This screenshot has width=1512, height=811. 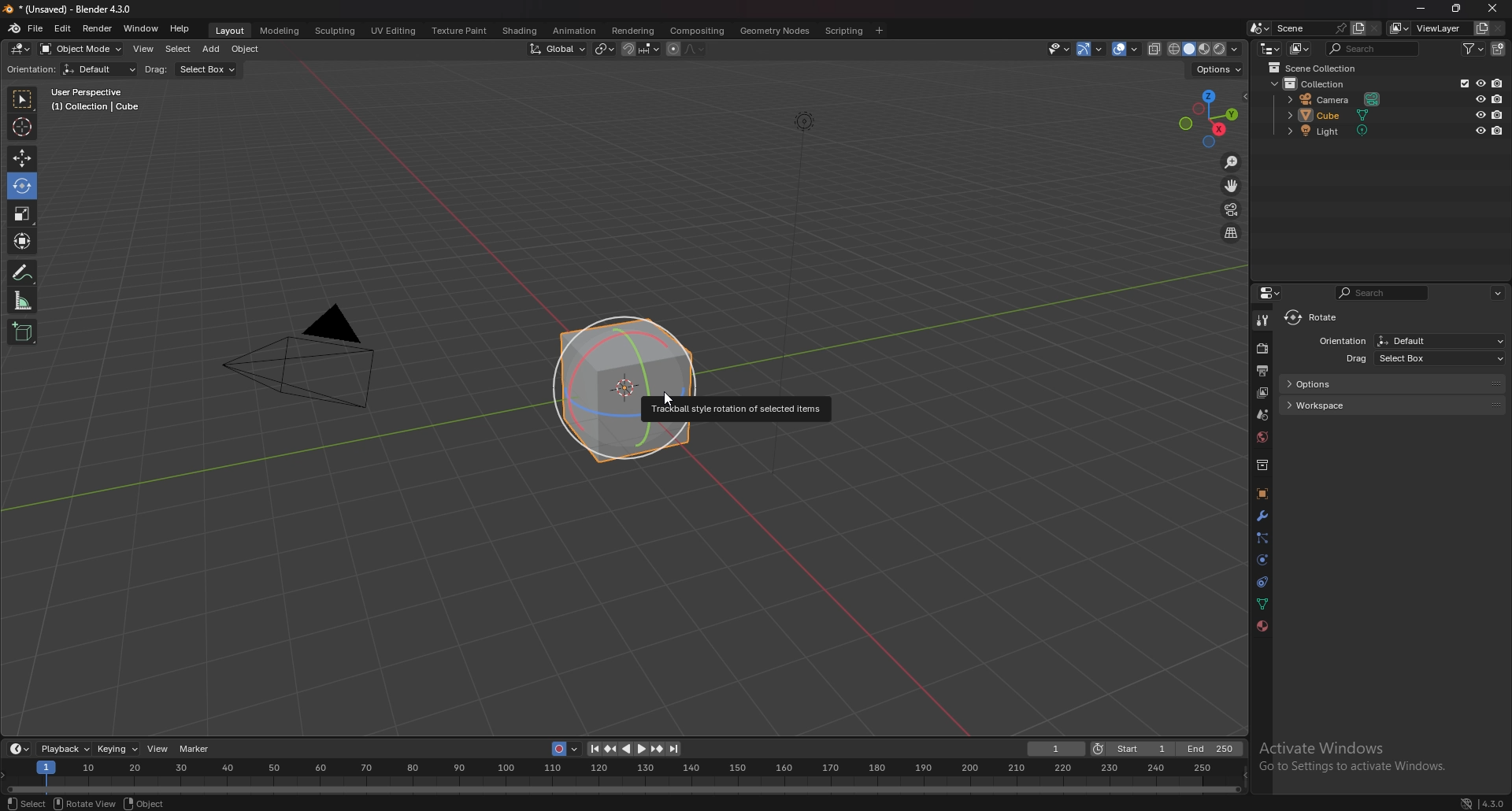 What do you see at coordinates (144, 49) in the screenshot?
I see `view` at bounding box center [144, 49].